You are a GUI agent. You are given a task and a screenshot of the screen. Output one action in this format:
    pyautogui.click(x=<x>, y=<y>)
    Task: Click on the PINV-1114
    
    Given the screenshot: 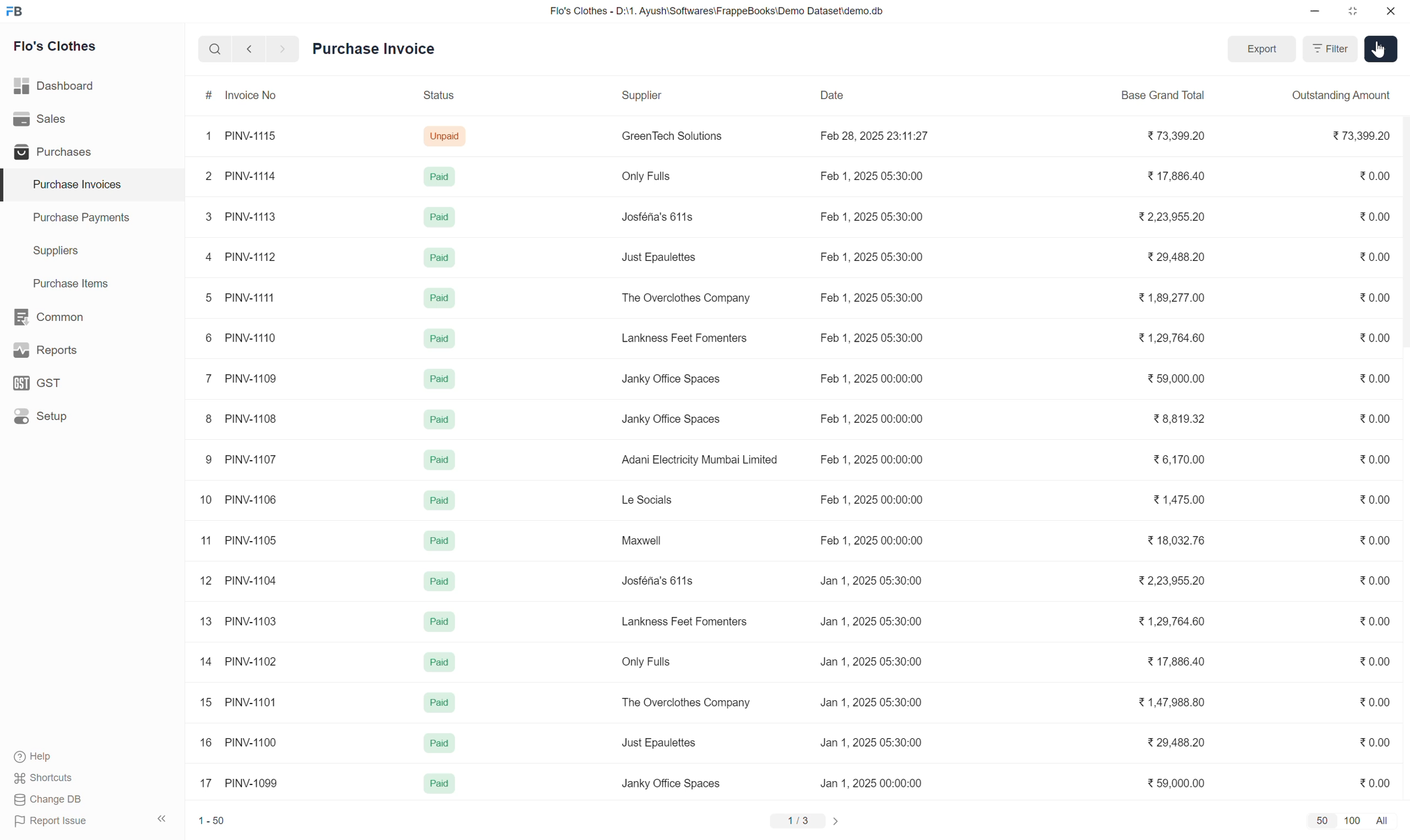 What is the action you would take?
    pyautogui.click(x=250, y=175)
    